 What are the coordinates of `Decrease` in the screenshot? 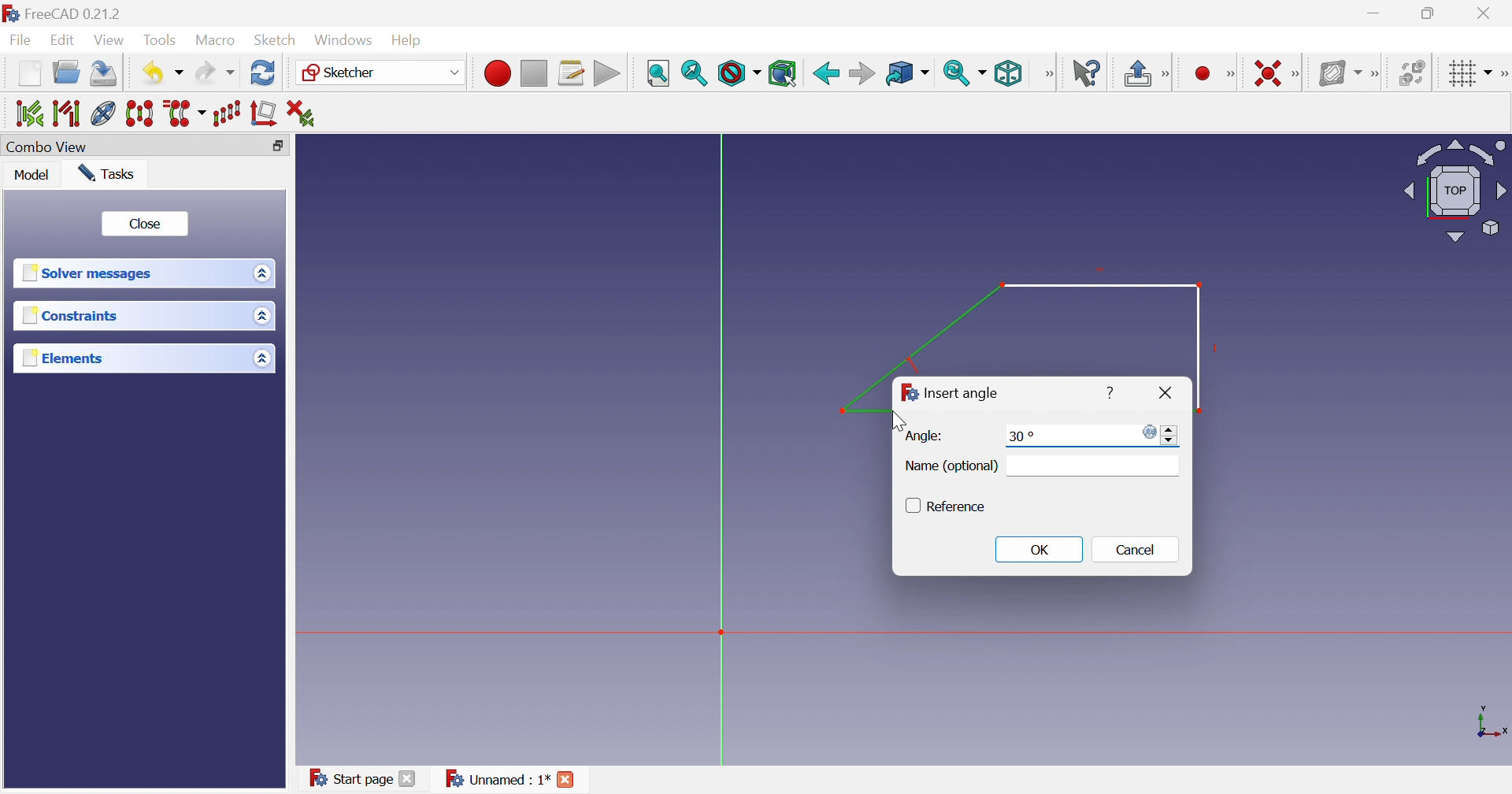 It's located at (1173, 443).